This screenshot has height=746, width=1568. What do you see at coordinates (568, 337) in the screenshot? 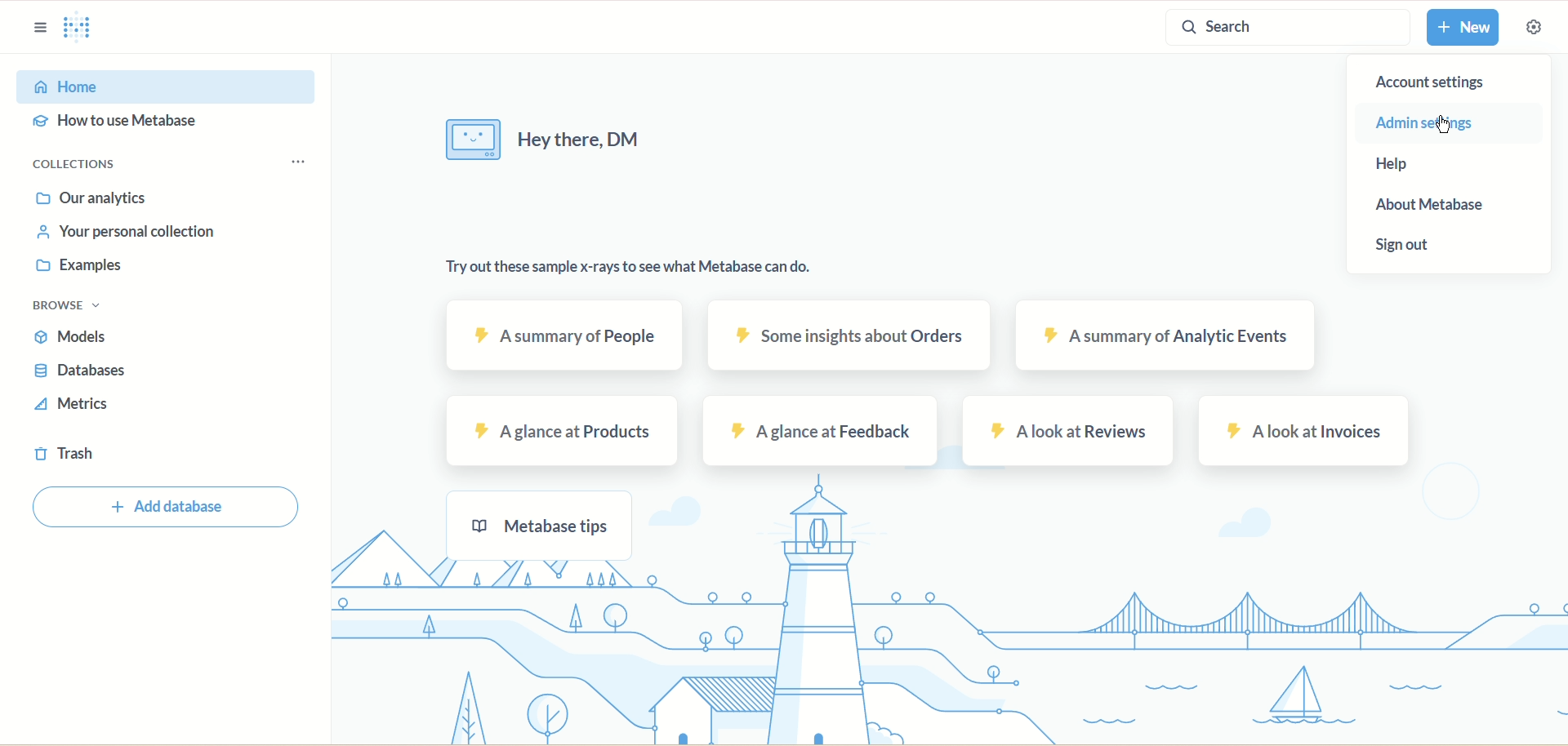
I see `A summary of people` at bounding box center [568, 337].